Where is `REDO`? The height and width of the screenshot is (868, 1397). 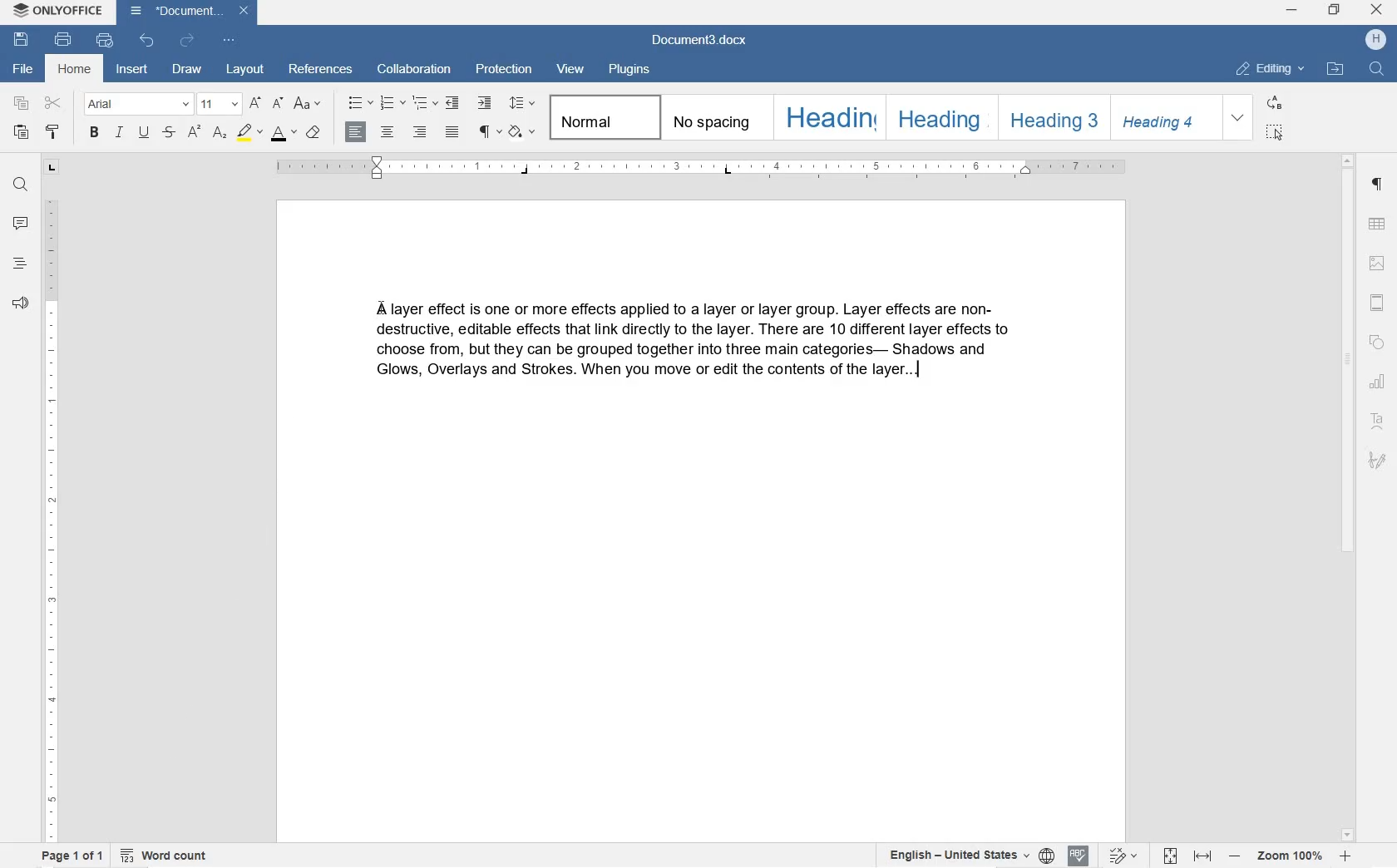
REDO is located at coordinates (186, 42).